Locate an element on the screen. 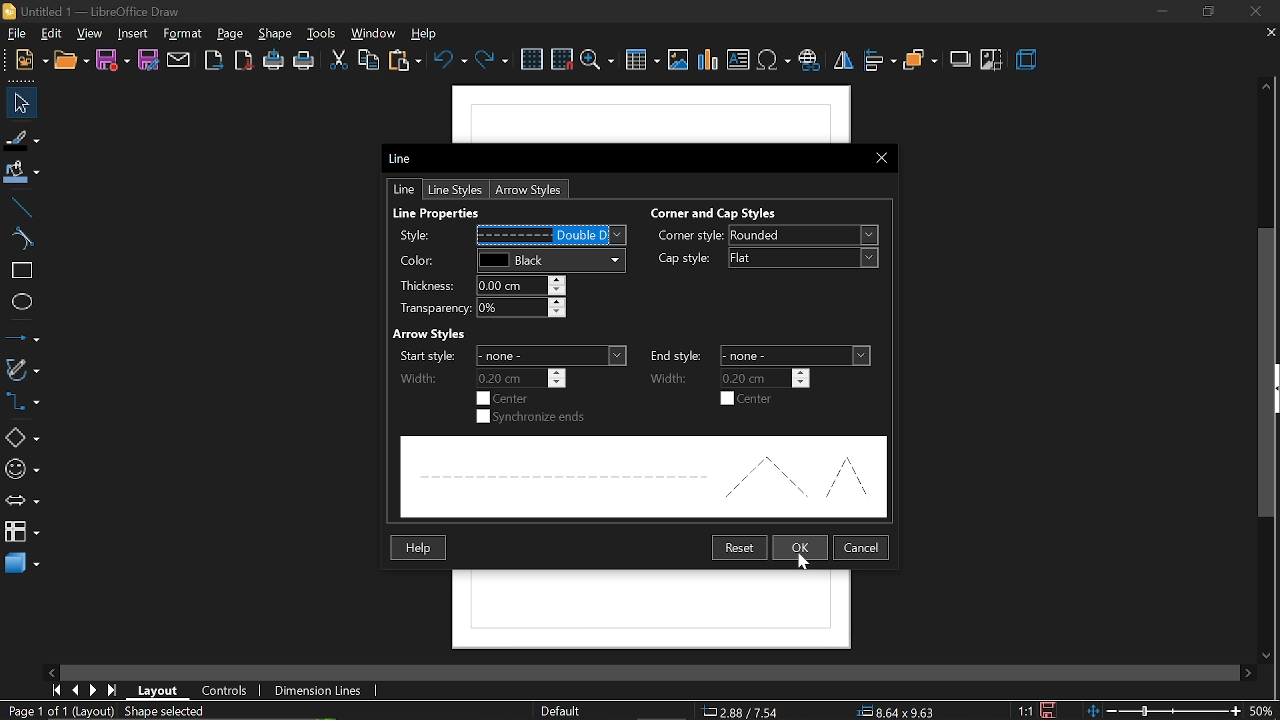 This screenshot has height=720, width=1280. save is located at coordinates (1052, 709).